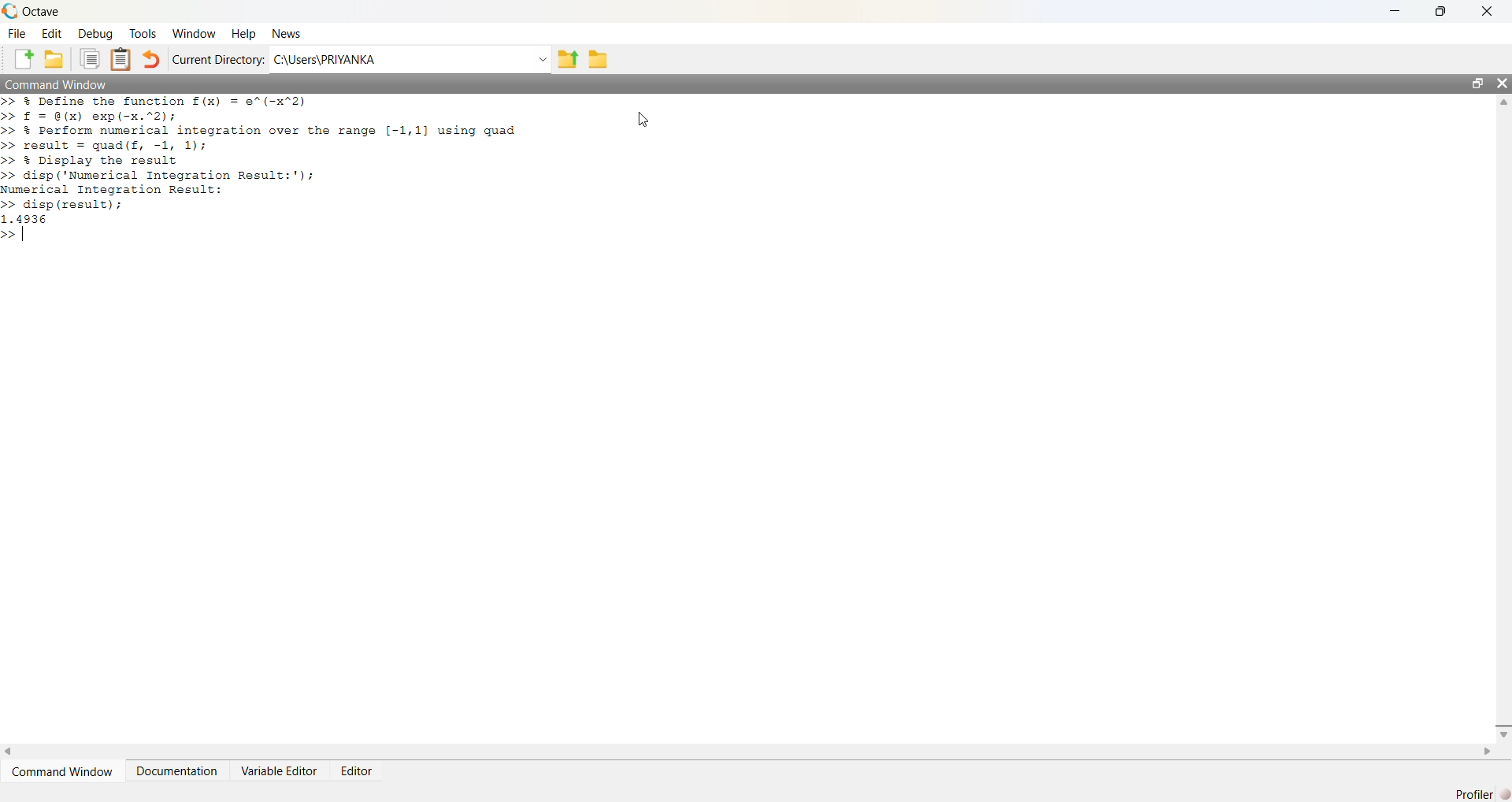 Image resolution: width=1512 pixels, height=802 pixels. I want to click on Copy, so click(89, 58).